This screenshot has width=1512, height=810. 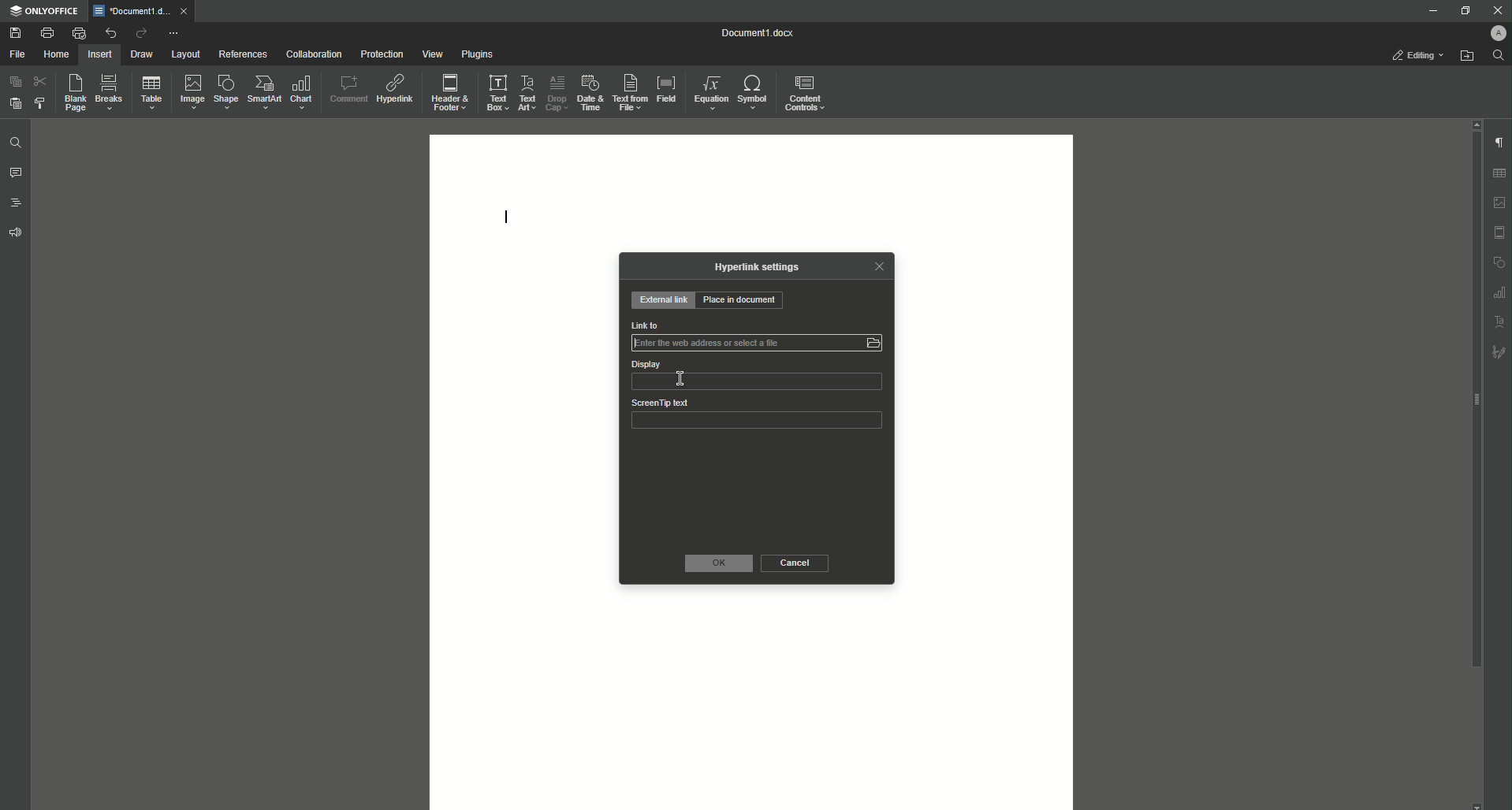 I want to click on References, so click(x=243, y=54).